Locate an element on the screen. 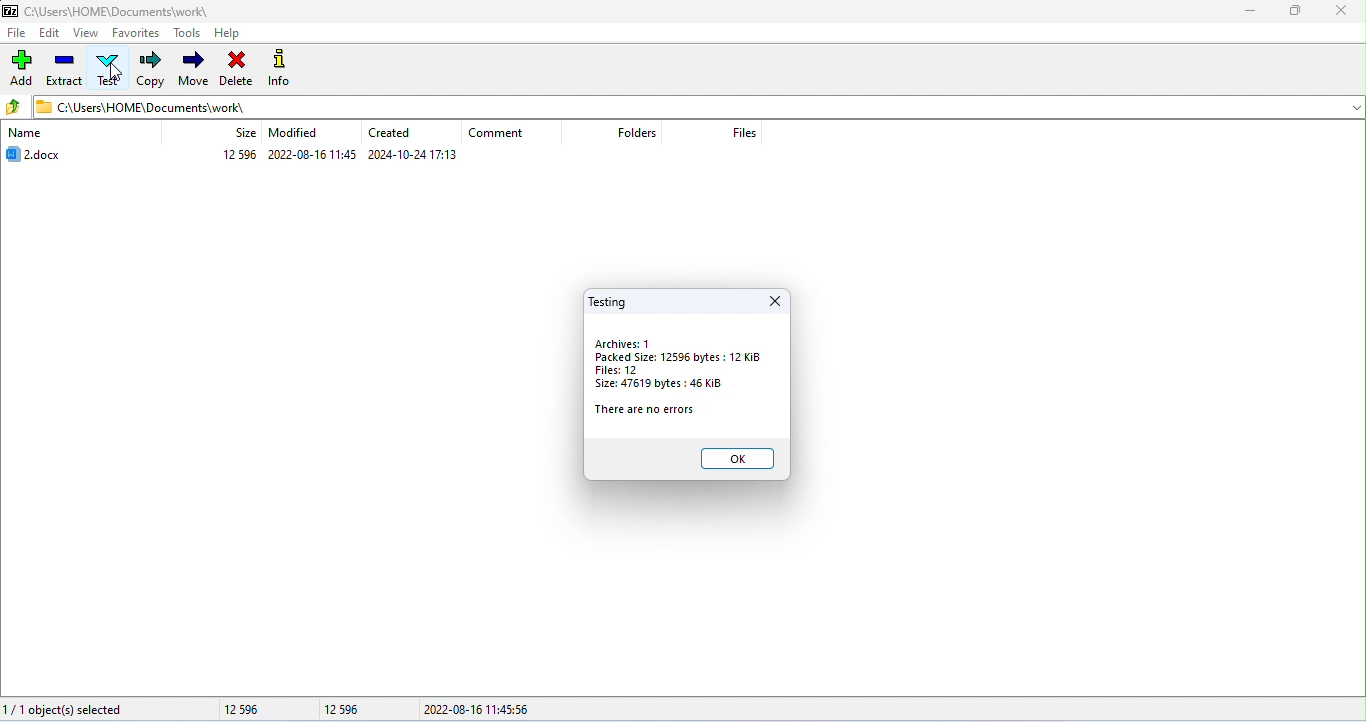 This screenshot has width=1366, height=722. extract is located at coordinates (65, 69).